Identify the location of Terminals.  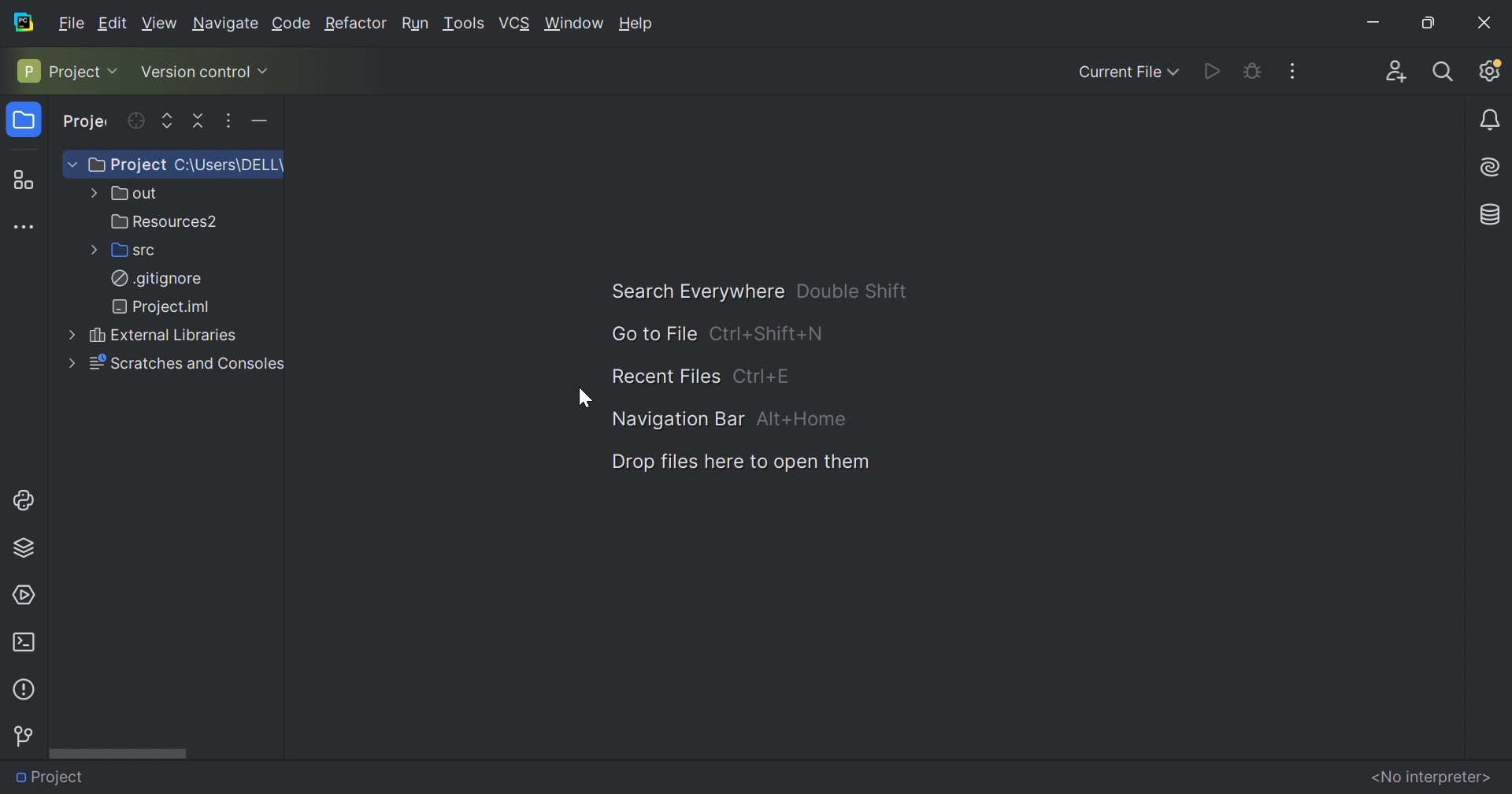
(23, 641).